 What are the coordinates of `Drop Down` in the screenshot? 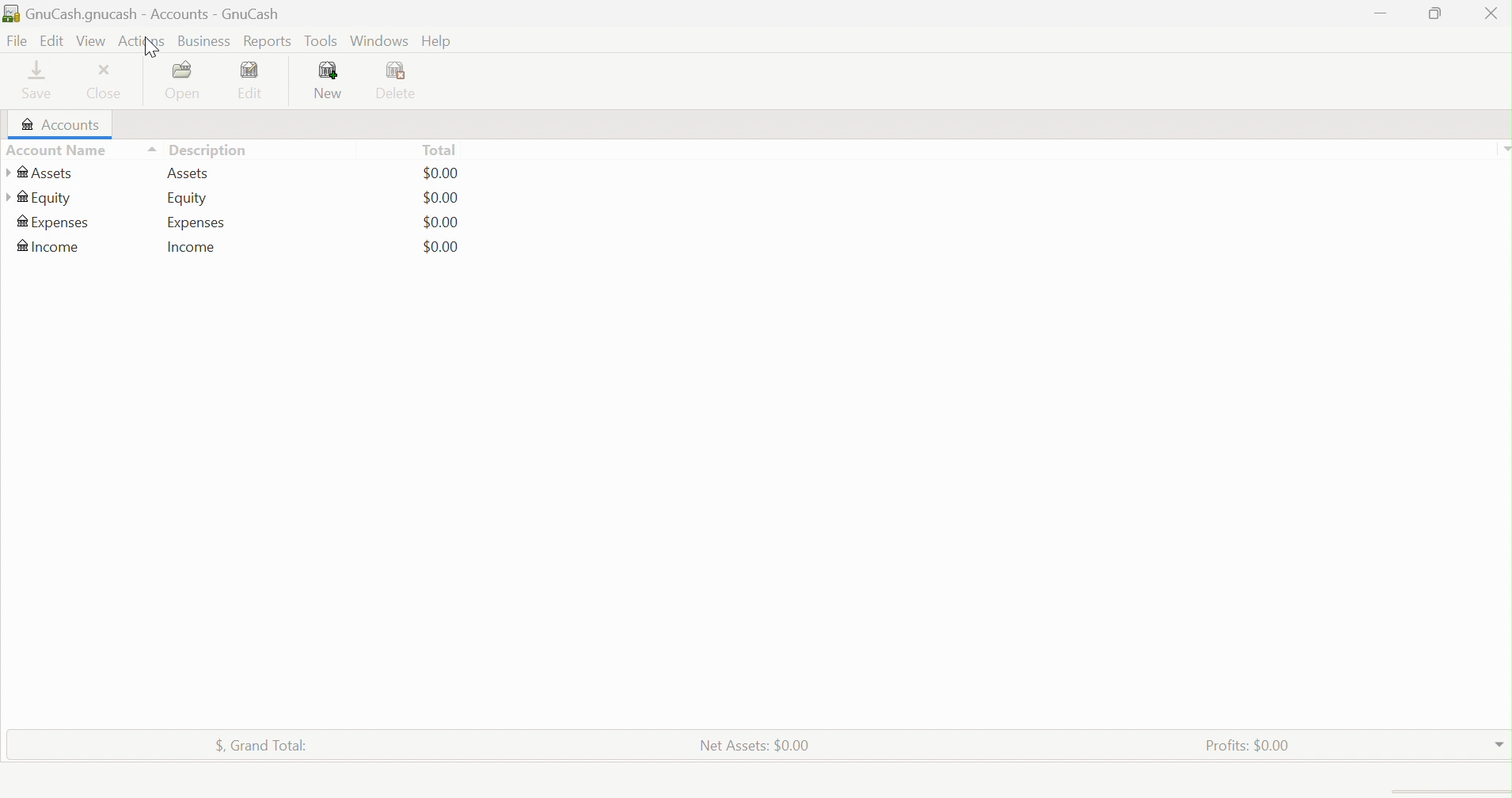 It's located at (1503, 148).